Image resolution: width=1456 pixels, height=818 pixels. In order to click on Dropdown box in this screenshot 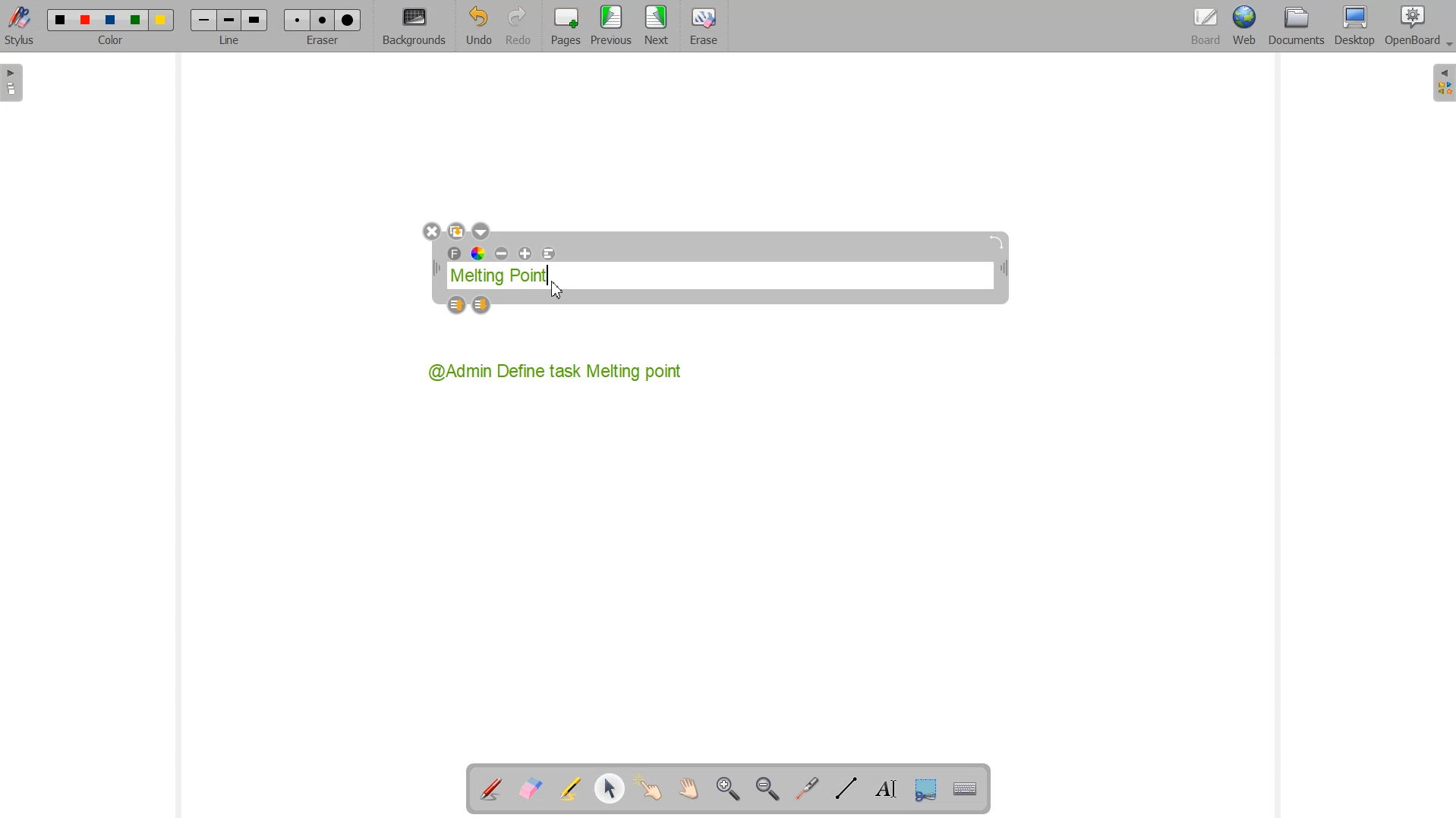, I will do `click(481, 231)`.